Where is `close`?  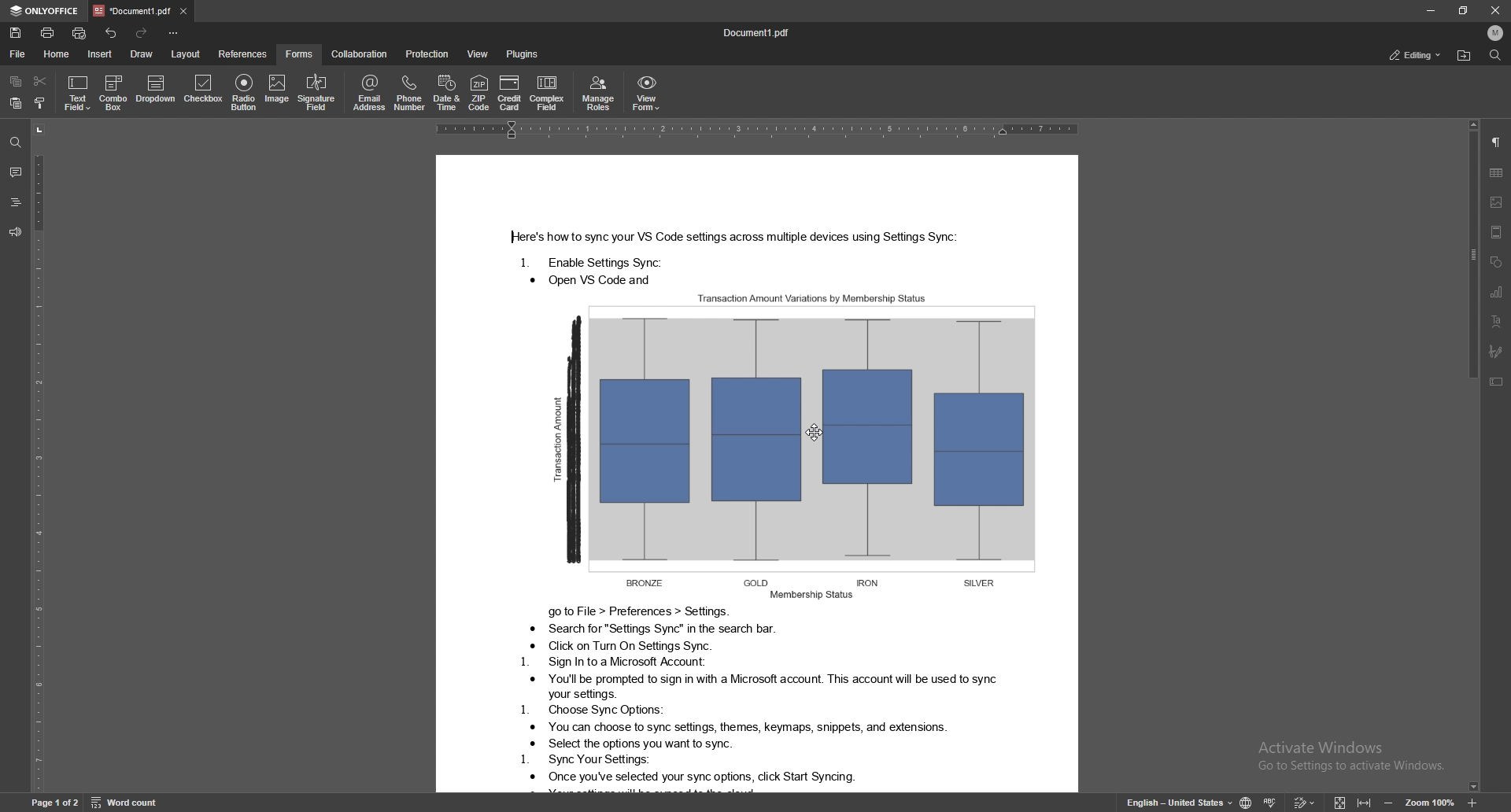
close is located at coordinates (1495, 11).